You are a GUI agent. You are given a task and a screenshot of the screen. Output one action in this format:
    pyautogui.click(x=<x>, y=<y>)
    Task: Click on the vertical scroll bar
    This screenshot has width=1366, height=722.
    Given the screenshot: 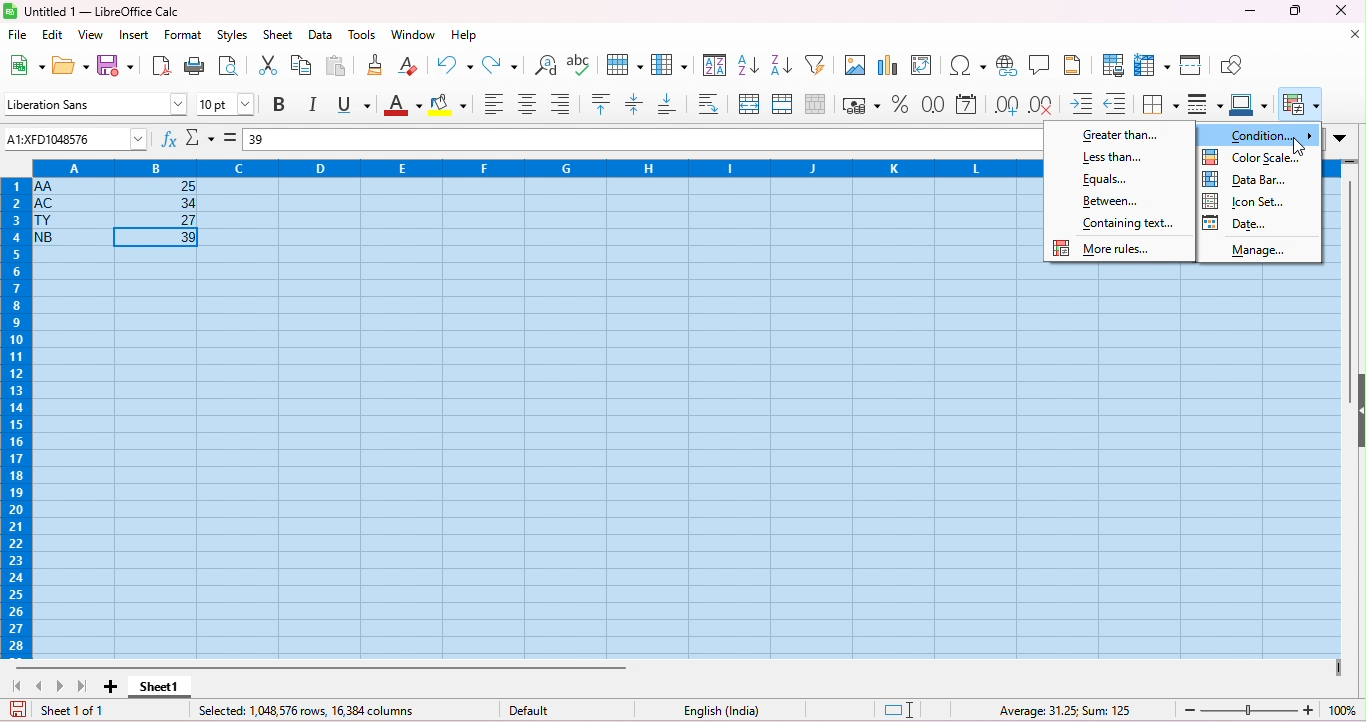 What is the action you would take?
    pyautogui.click(x=1352, y=260)
    